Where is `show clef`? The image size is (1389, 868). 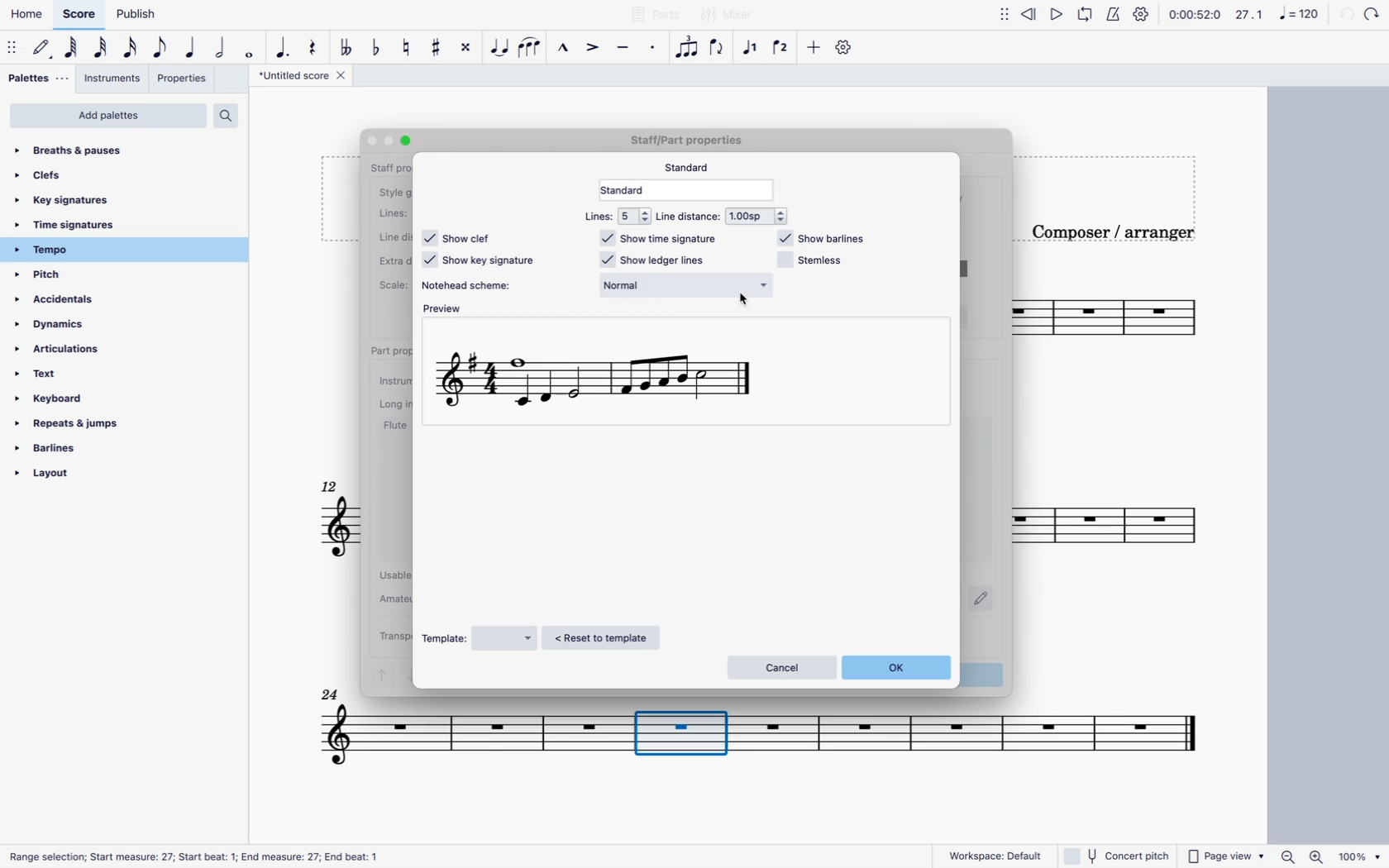 show clef is located at coordinates (460, 237).